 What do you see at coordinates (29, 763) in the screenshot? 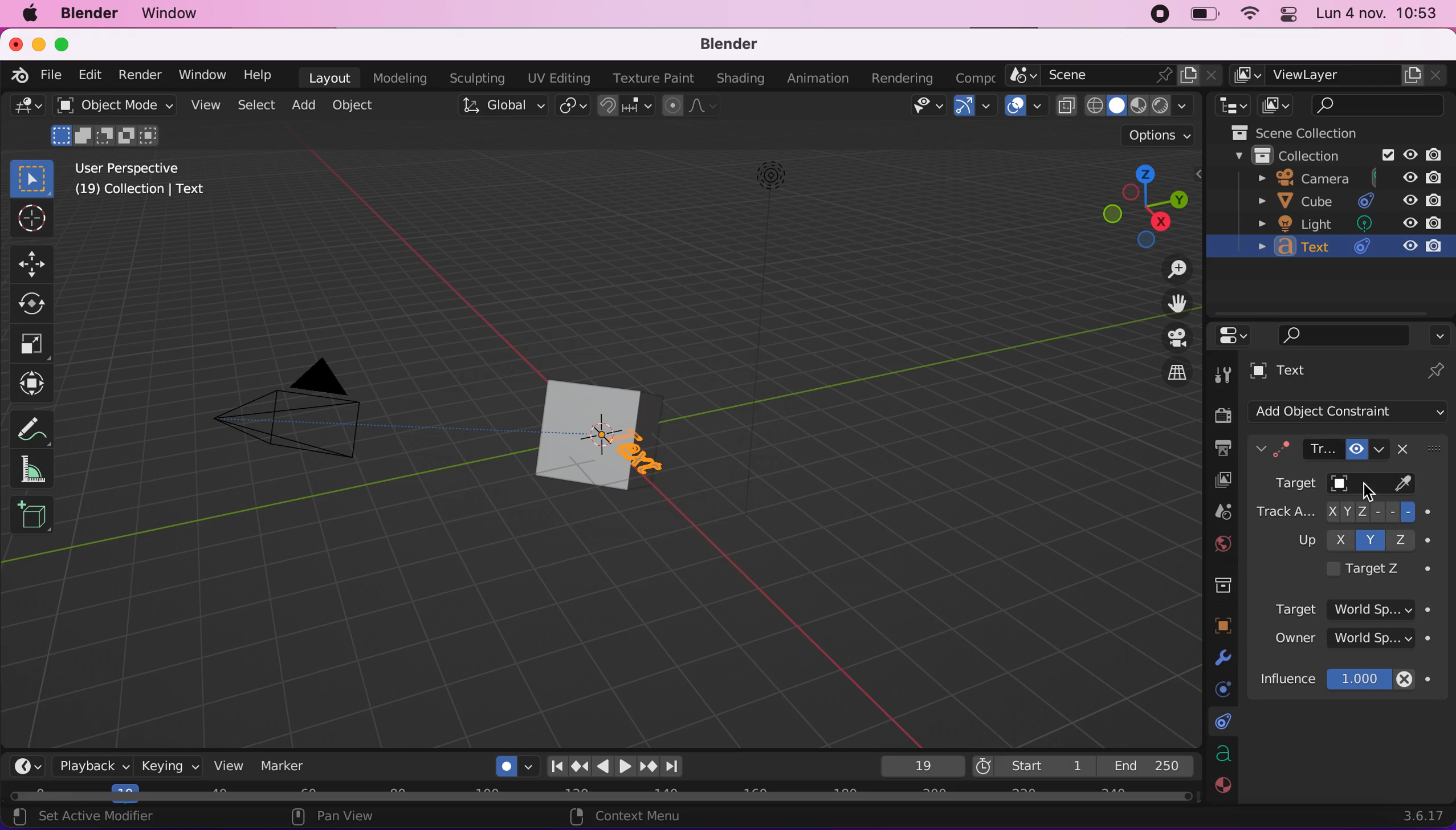
I see `editor type` at bounding box center [29, 763].